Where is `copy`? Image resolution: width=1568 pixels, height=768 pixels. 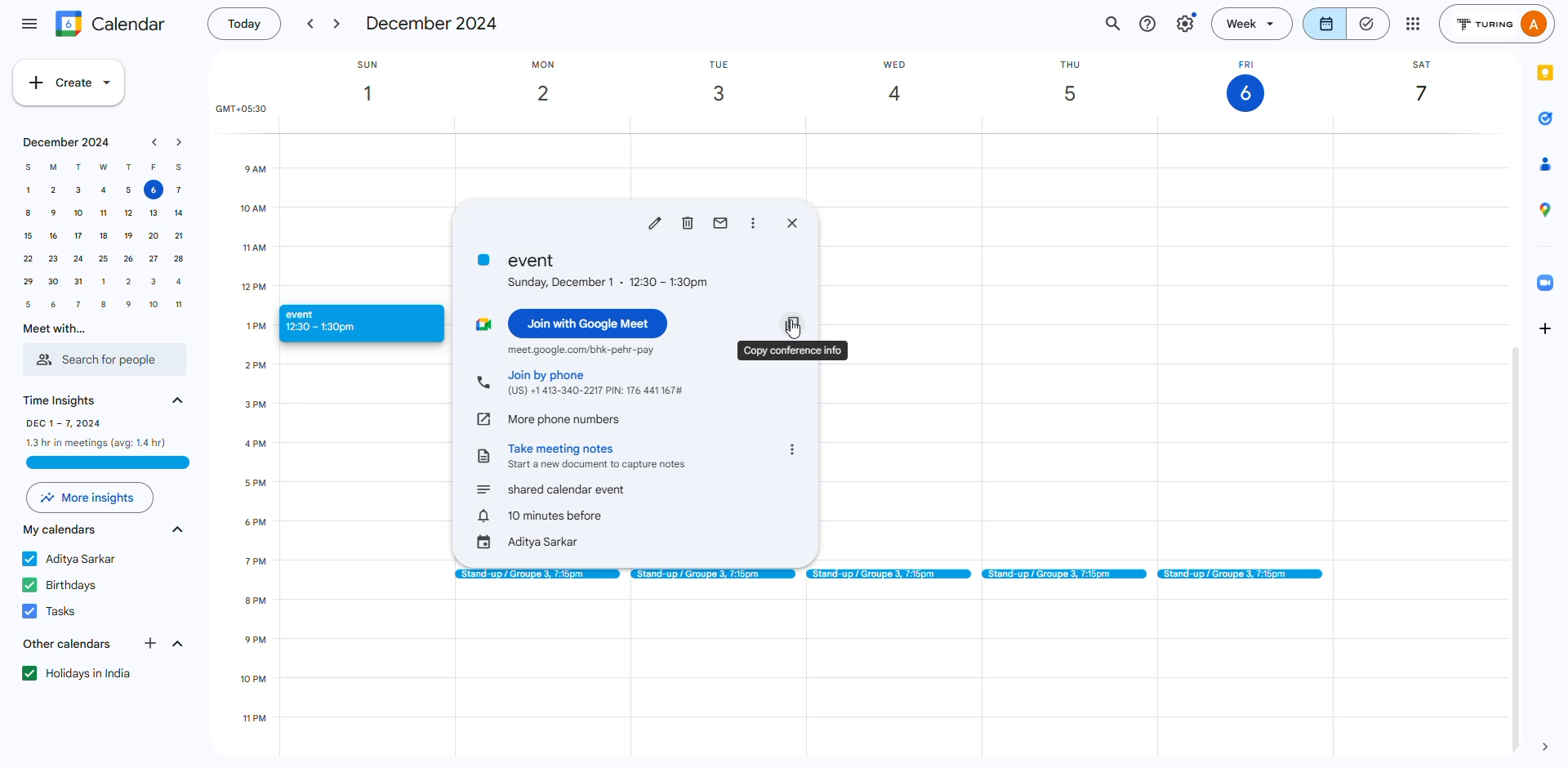 copy is located at coordinates (794, 350).